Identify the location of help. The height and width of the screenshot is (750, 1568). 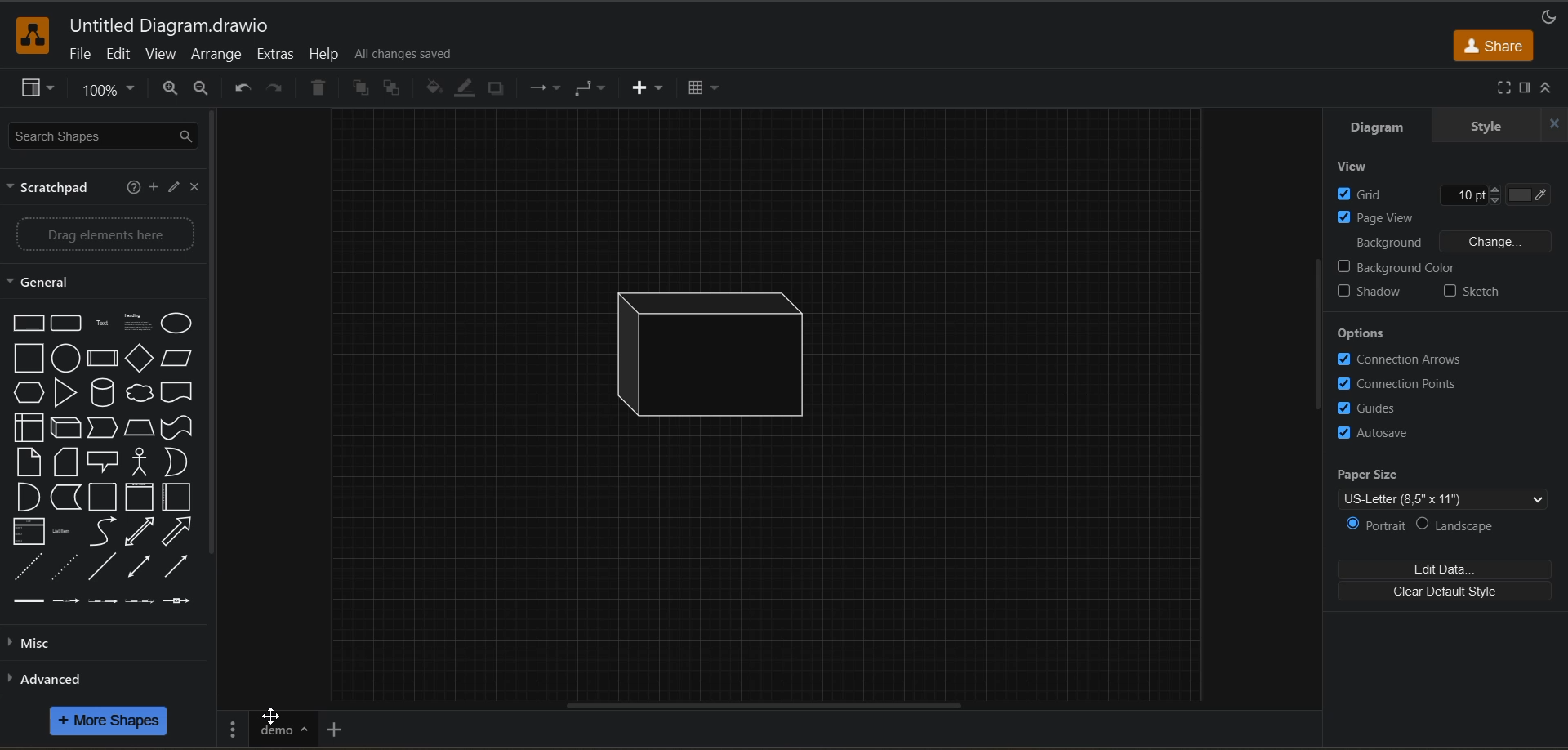
(327, 56).